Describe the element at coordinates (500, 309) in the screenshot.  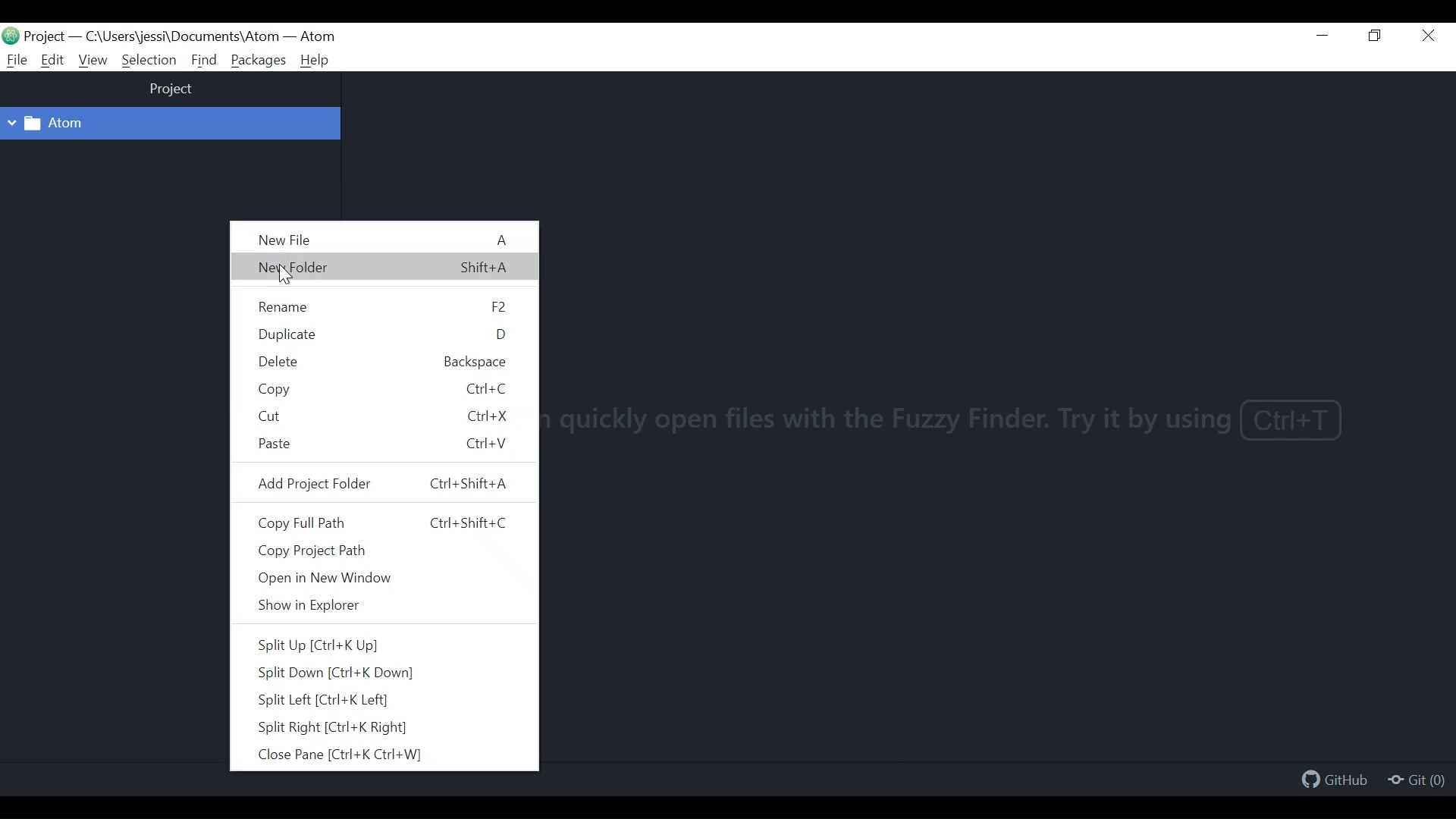
I see `f2` at that location.